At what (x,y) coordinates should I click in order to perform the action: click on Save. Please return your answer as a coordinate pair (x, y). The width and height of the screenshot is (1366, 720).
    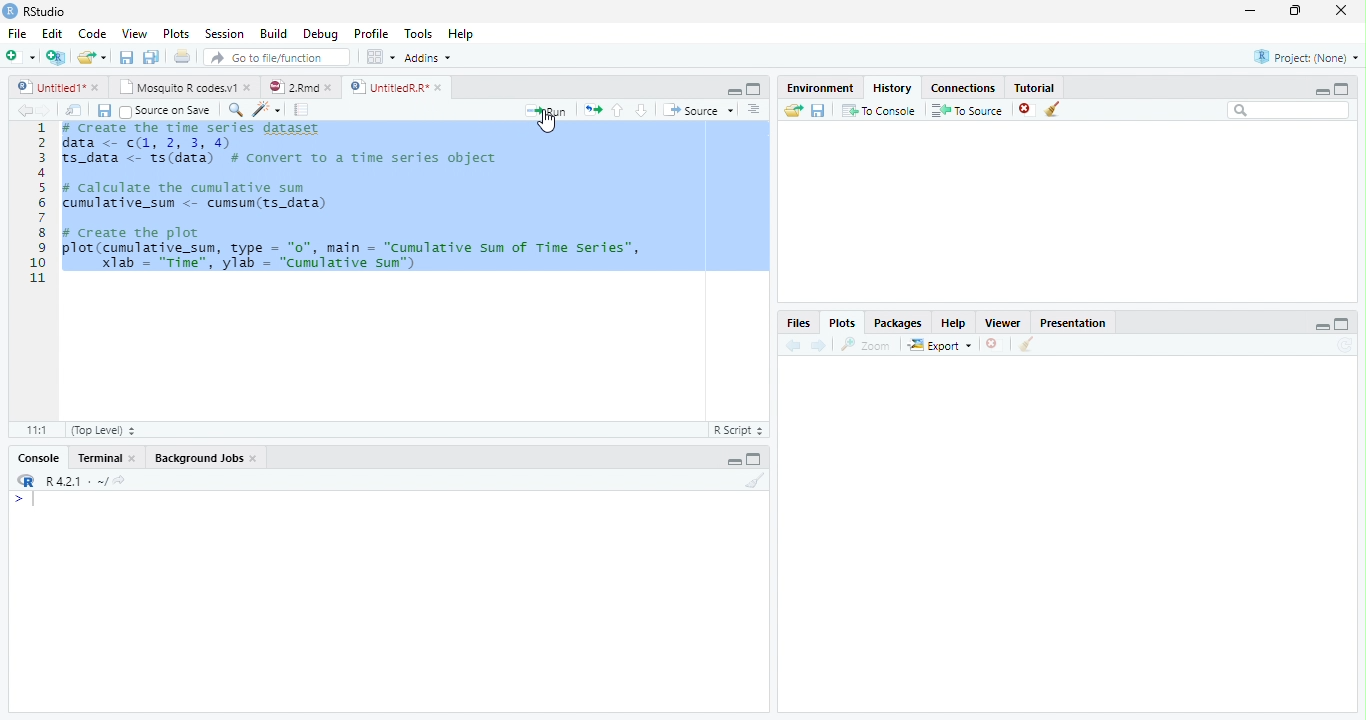
    Looking at the image, I should click on (126, 59).